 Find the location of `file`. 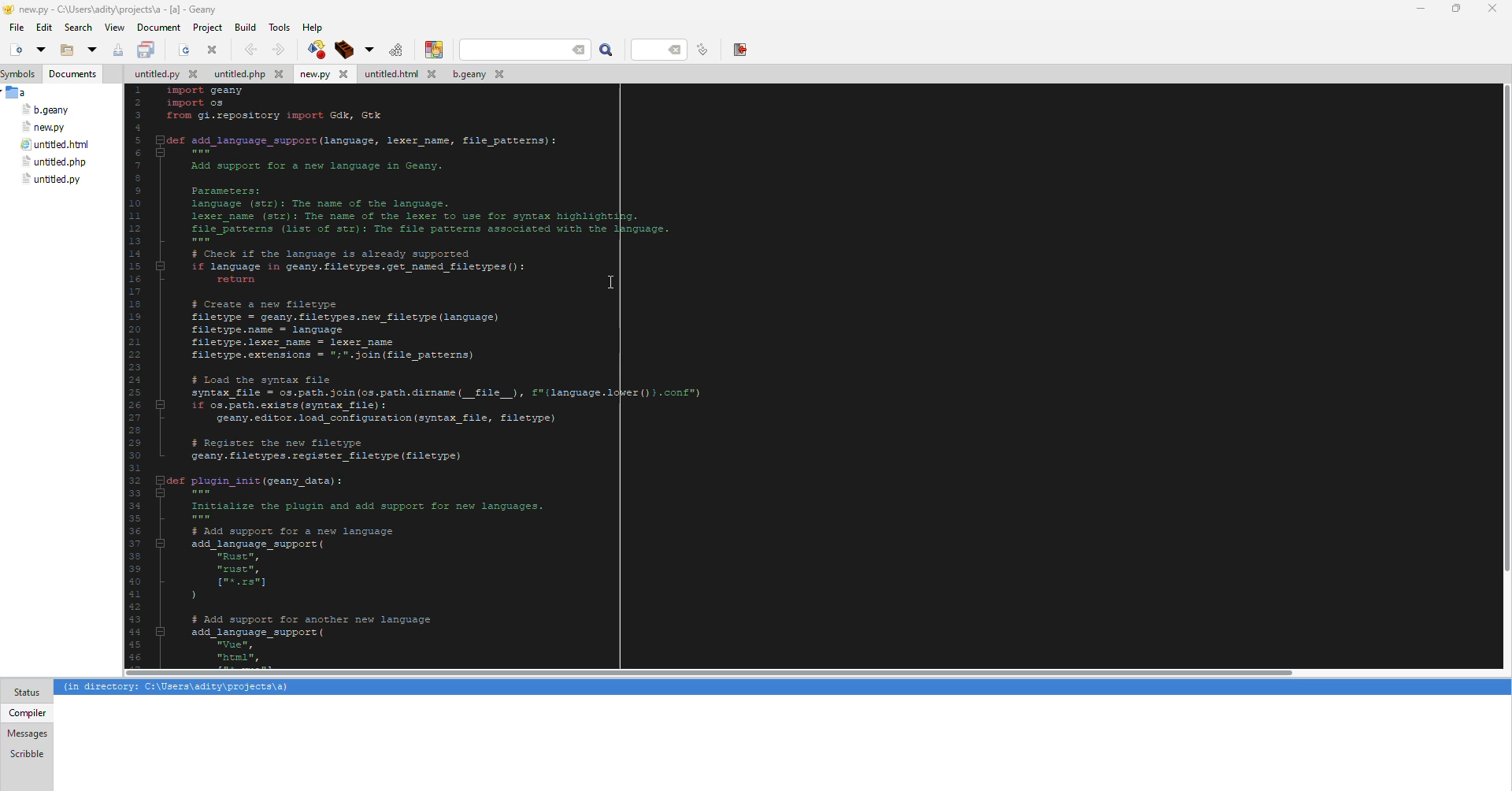

file is located at coordinates (50, 179).